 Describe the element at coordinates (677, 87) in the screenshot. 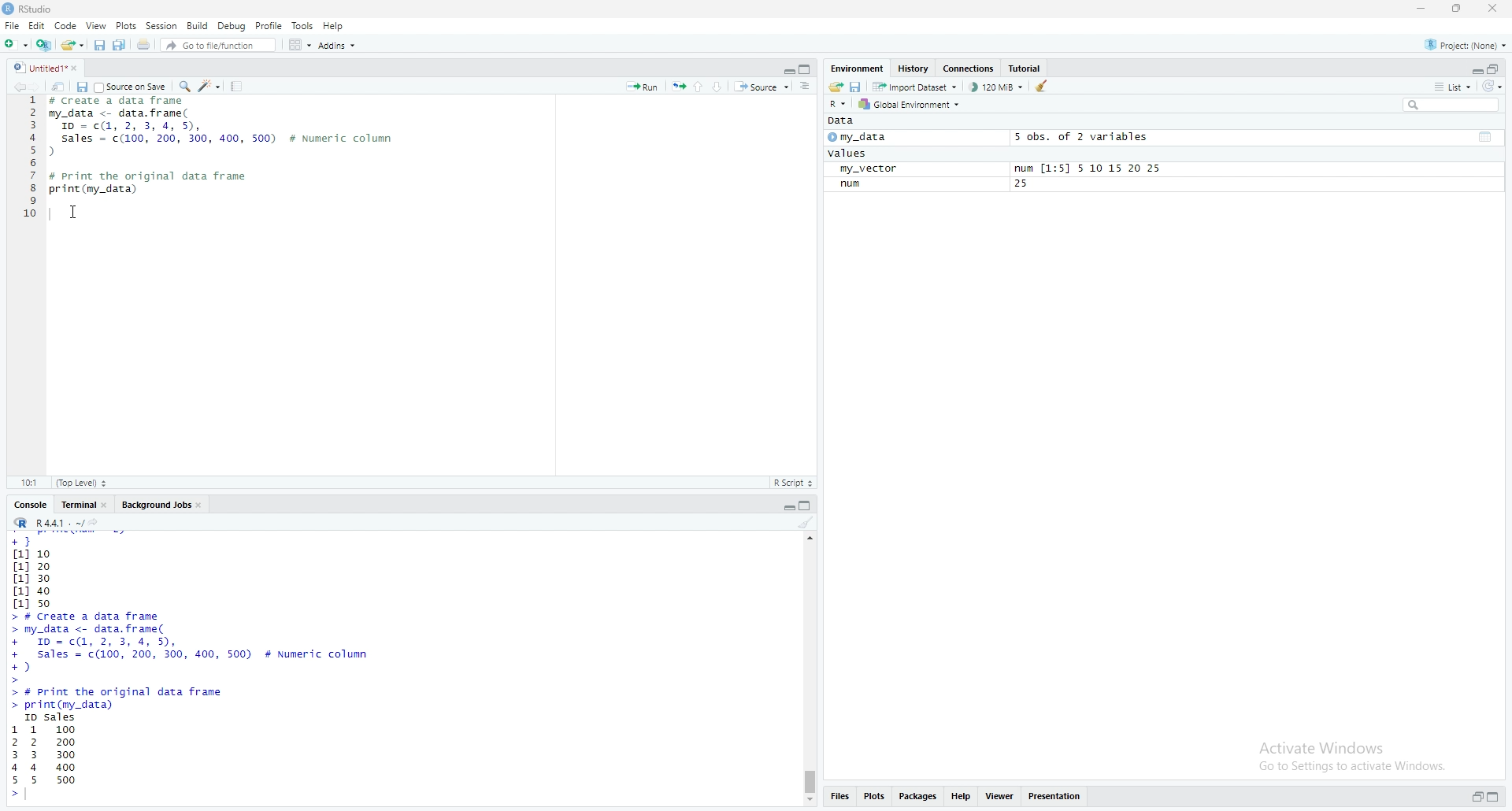

I see `re-run the previous code region` at that location.